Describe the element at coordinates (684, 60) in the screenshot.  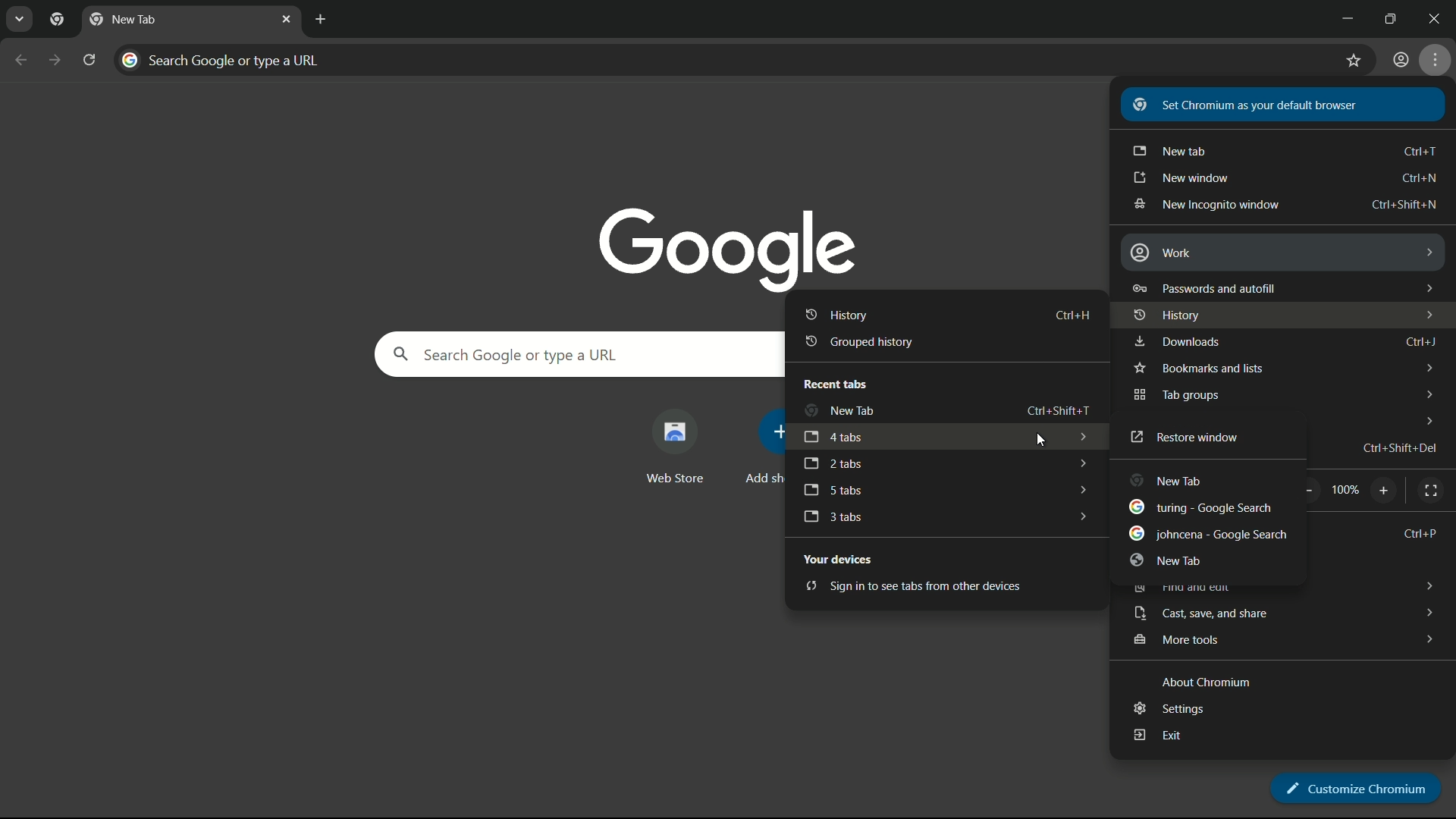
I see `search google or type a url` at that location.